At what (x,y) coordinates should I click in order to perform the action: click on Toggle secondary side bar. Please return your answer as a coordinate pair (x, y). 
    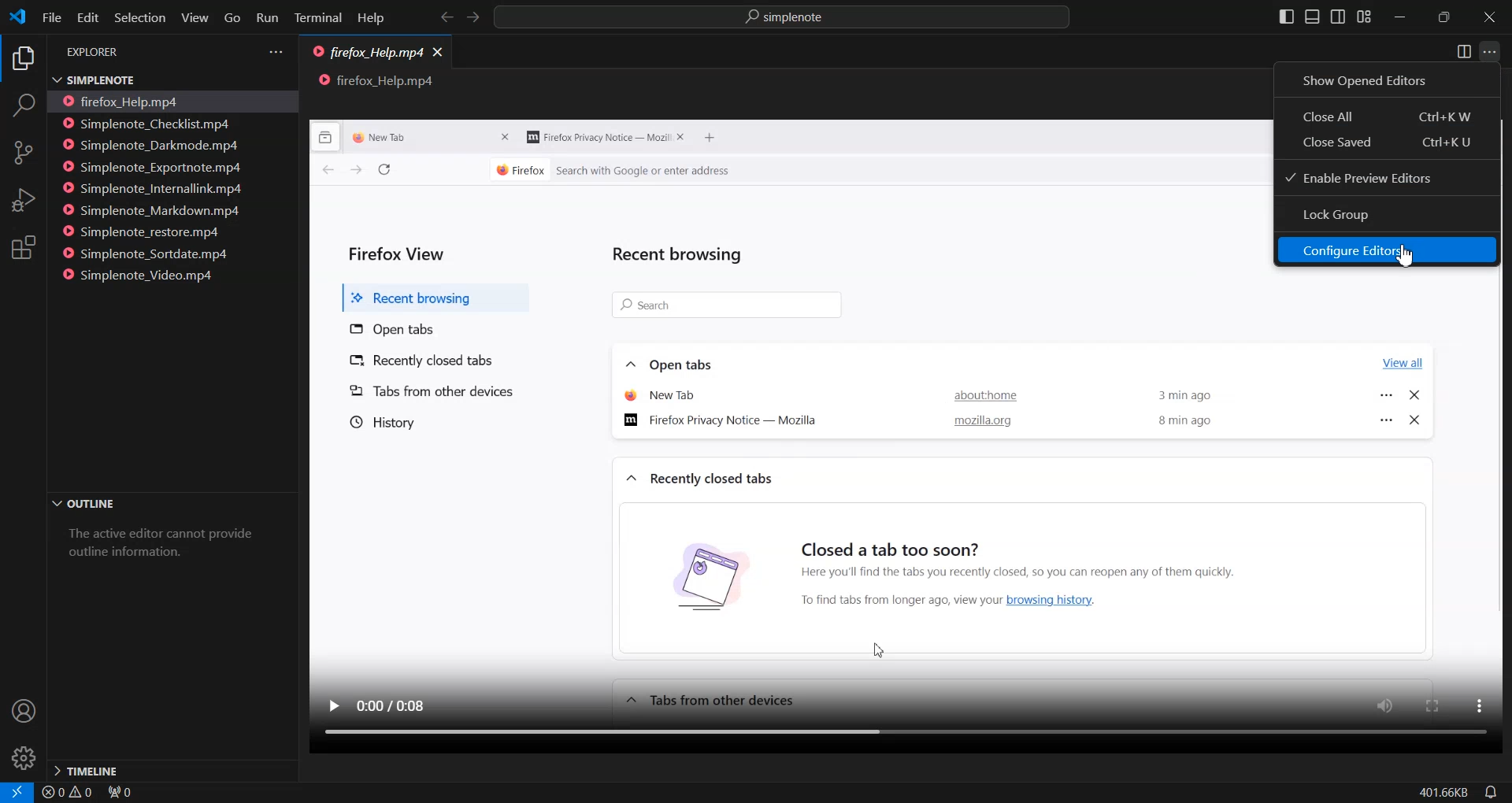
    Looking at the image, I should click on (1337, 17).